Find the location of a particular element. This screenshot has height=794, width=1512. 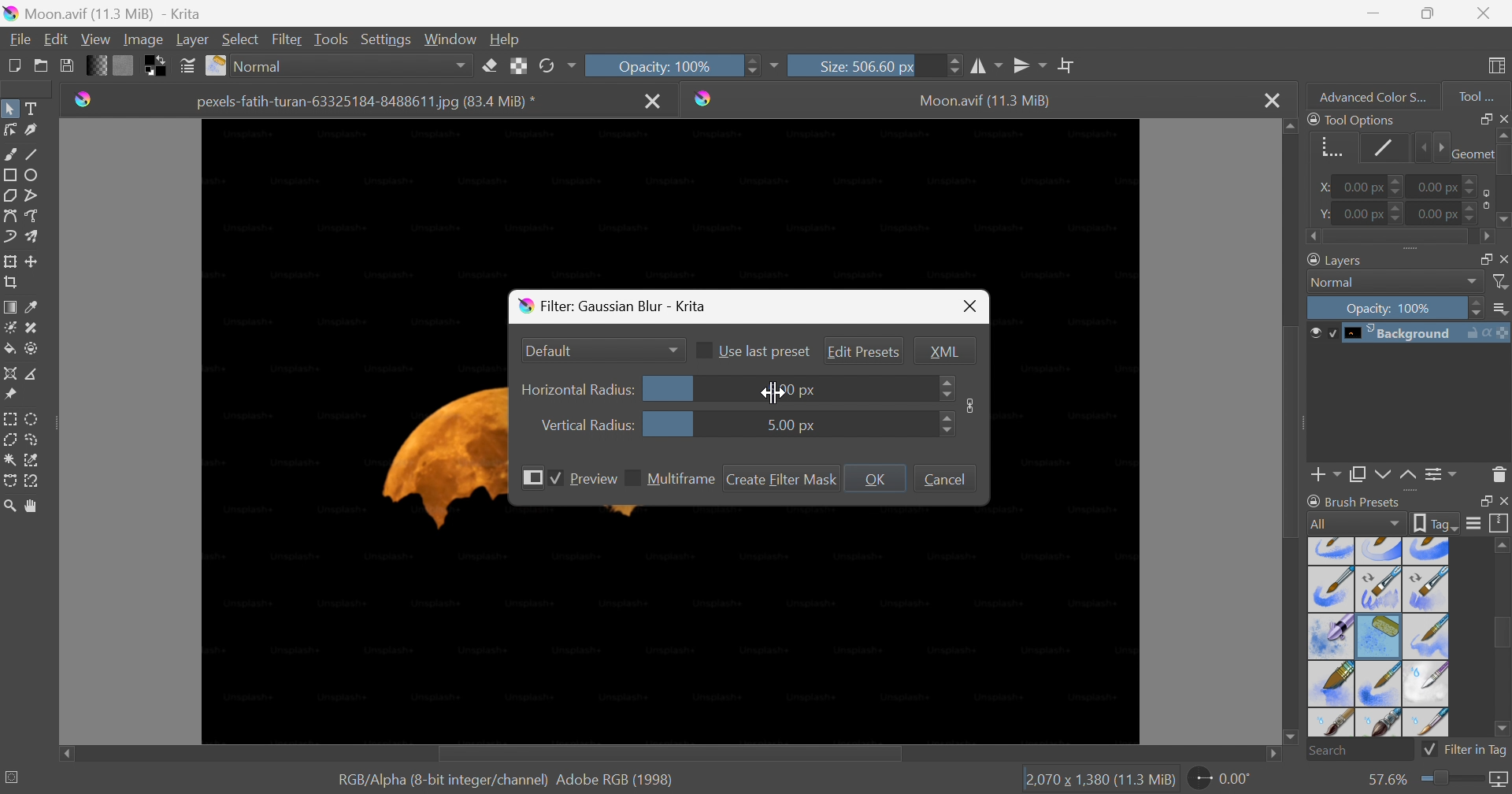

Calligraphy is located at coordinates (34, 129).